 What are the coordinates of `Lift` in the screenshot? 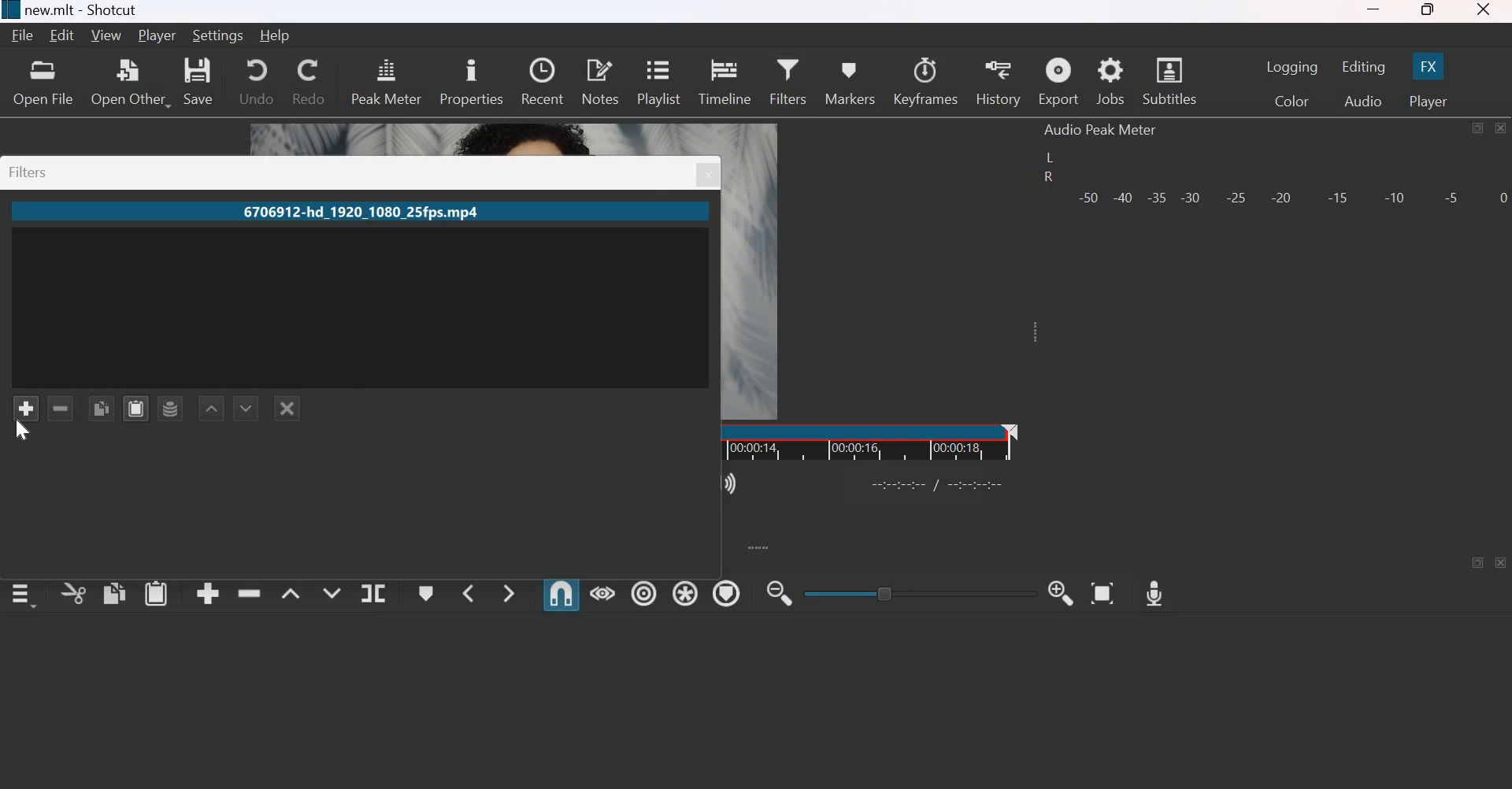 It's located at (291, 593).